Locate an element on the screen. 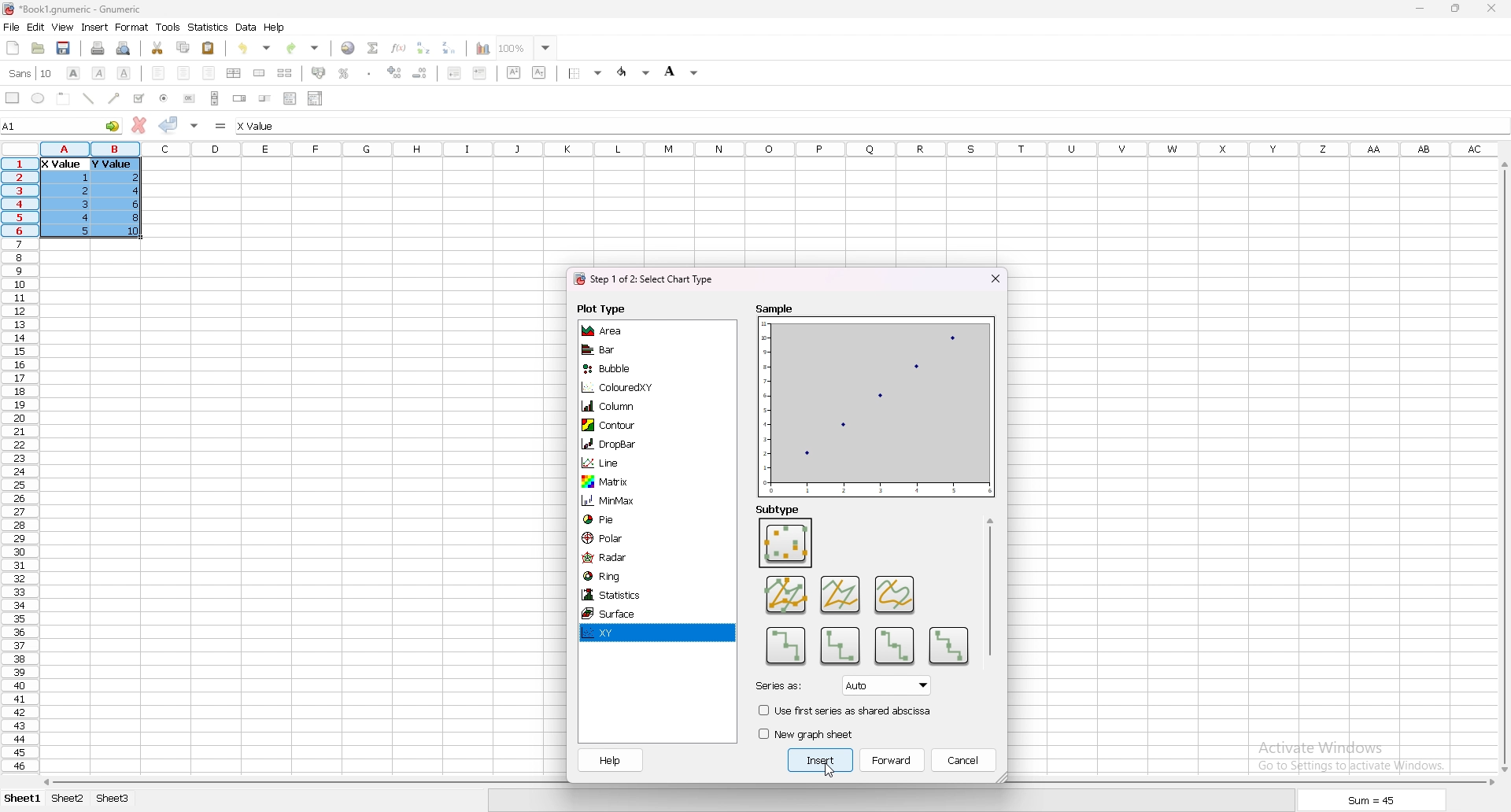 Image resolution: width=1511 pixels, height=812 pixels. statistics is located at coordinates (209, 27).